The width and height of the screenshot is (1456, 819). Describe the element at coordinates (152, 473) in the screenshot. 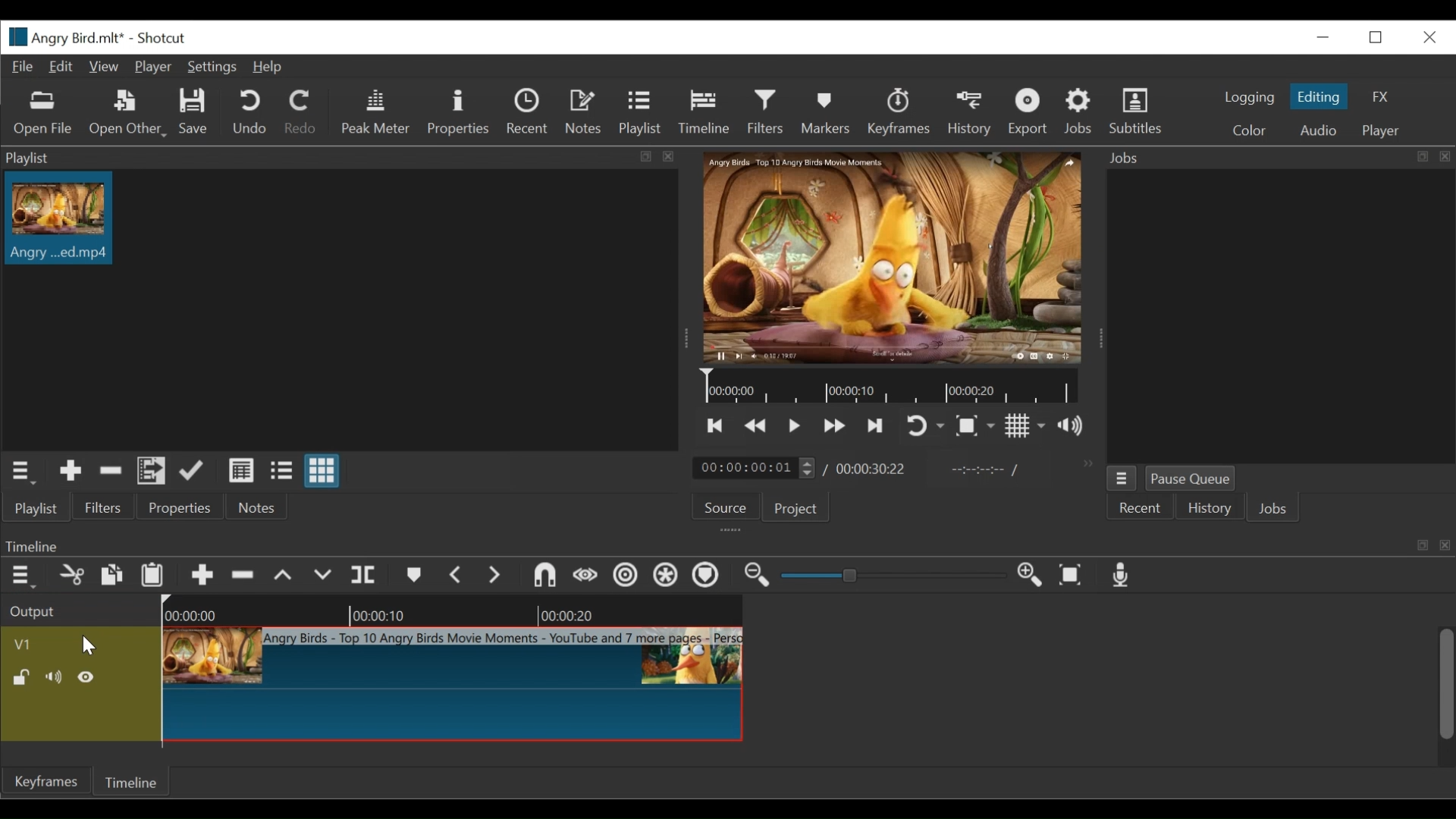

I see `Add files to the playlist` at that location.